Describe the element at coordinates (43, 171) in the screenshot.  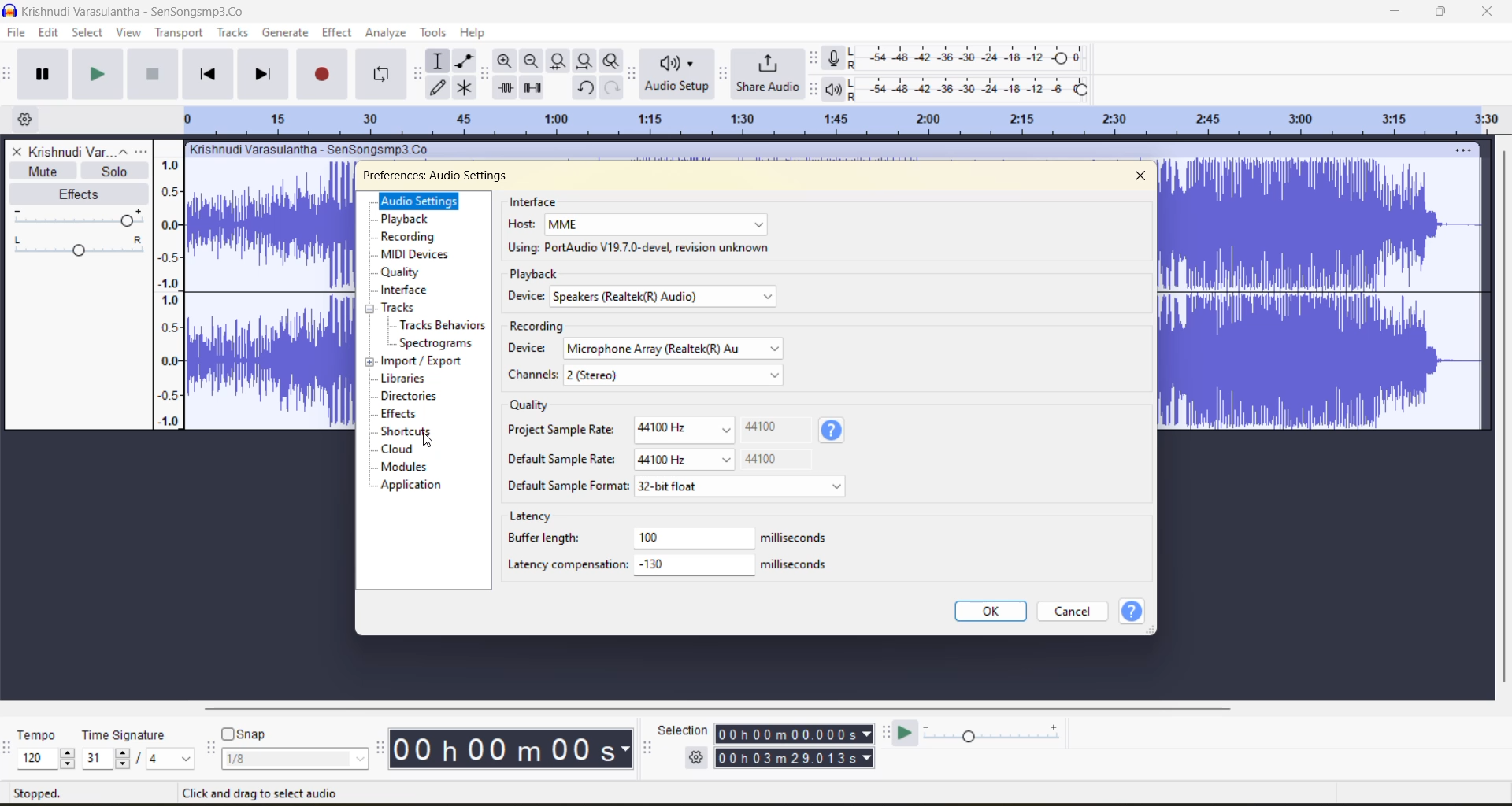
I see `mute` at that location.